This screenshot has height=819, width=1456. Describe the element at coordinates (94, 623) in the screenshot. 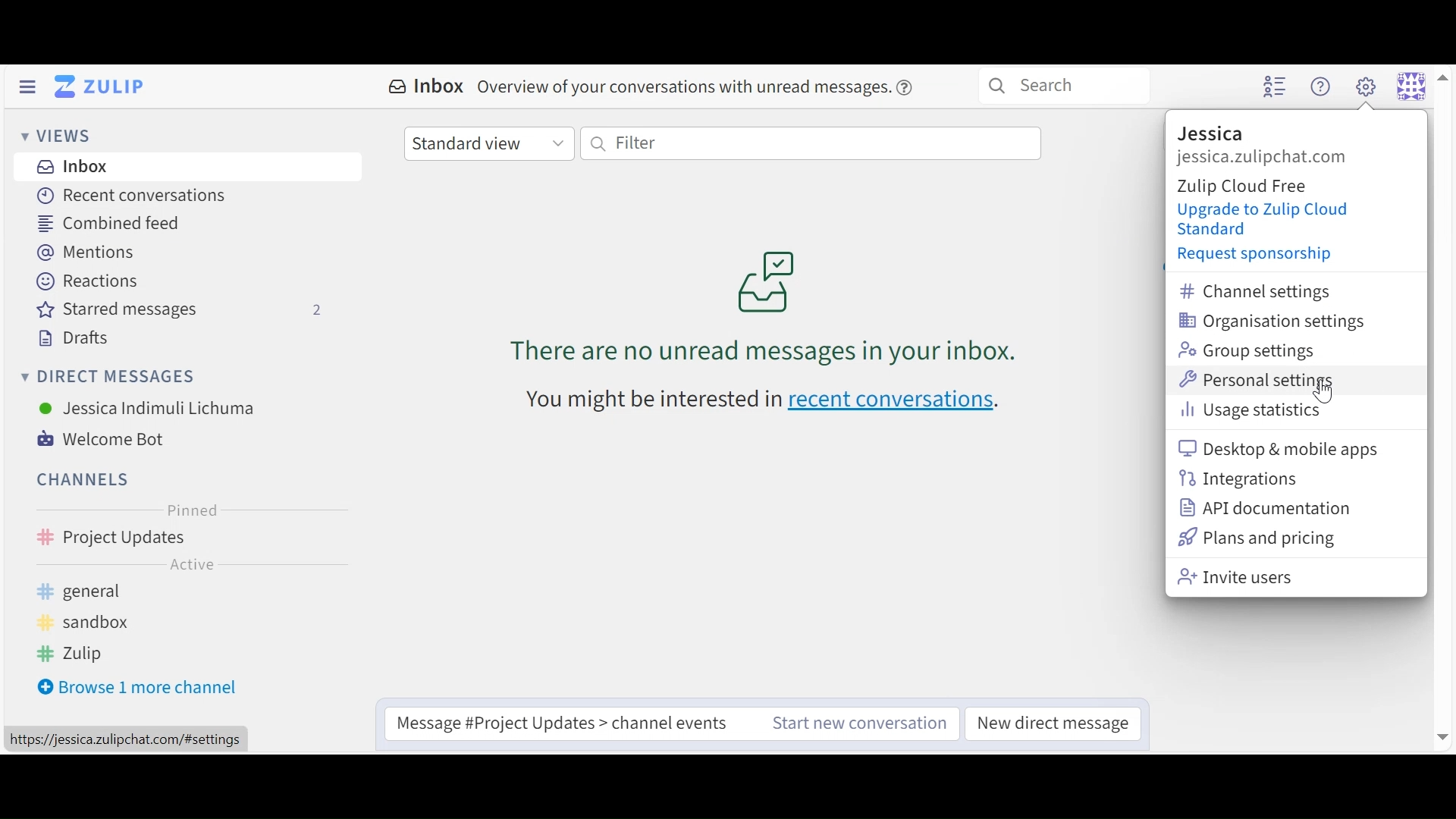

I see `sandbox` at that location.